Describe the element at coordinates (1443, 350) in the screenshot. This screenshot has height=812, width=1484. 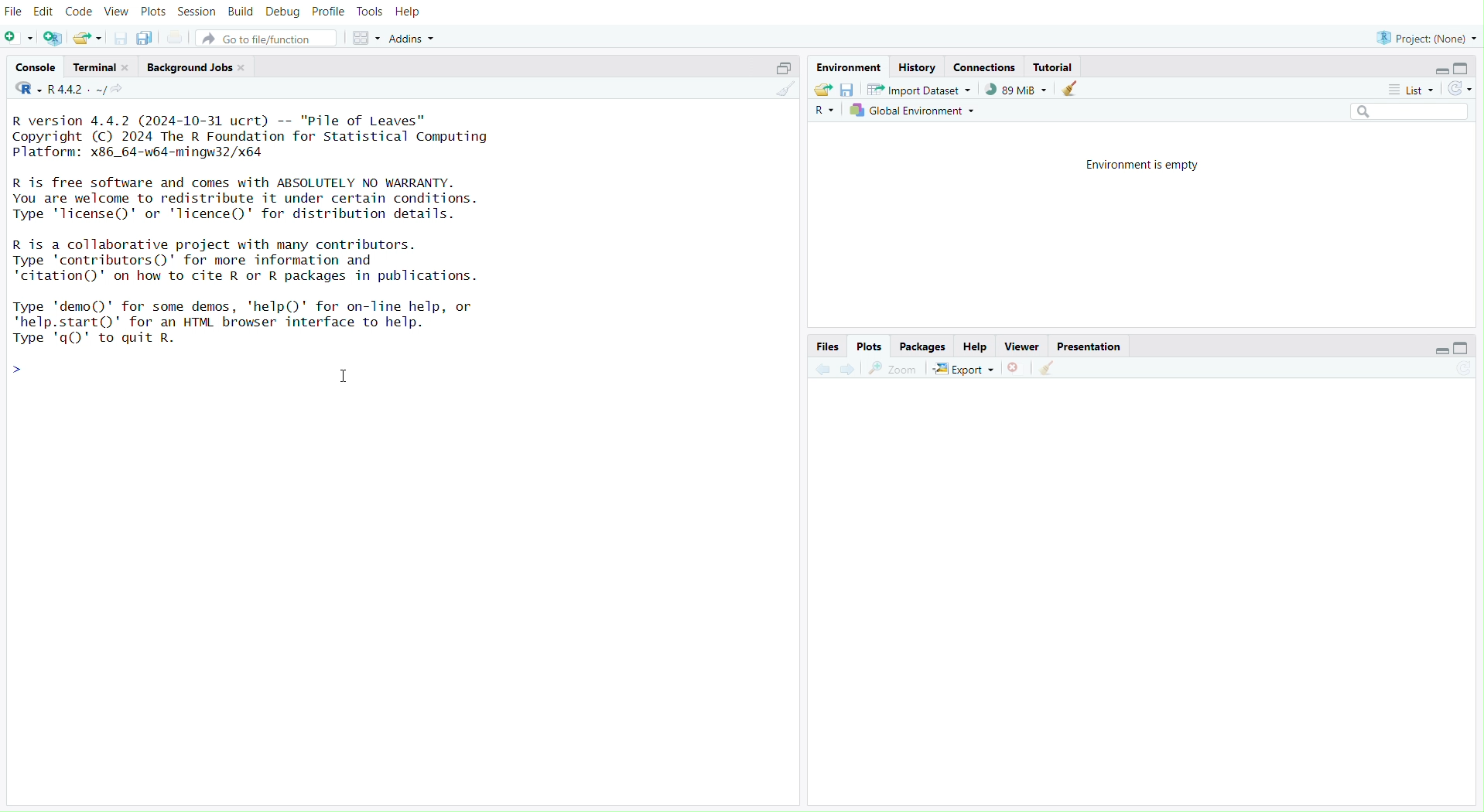
I see `Minimize` at that location.